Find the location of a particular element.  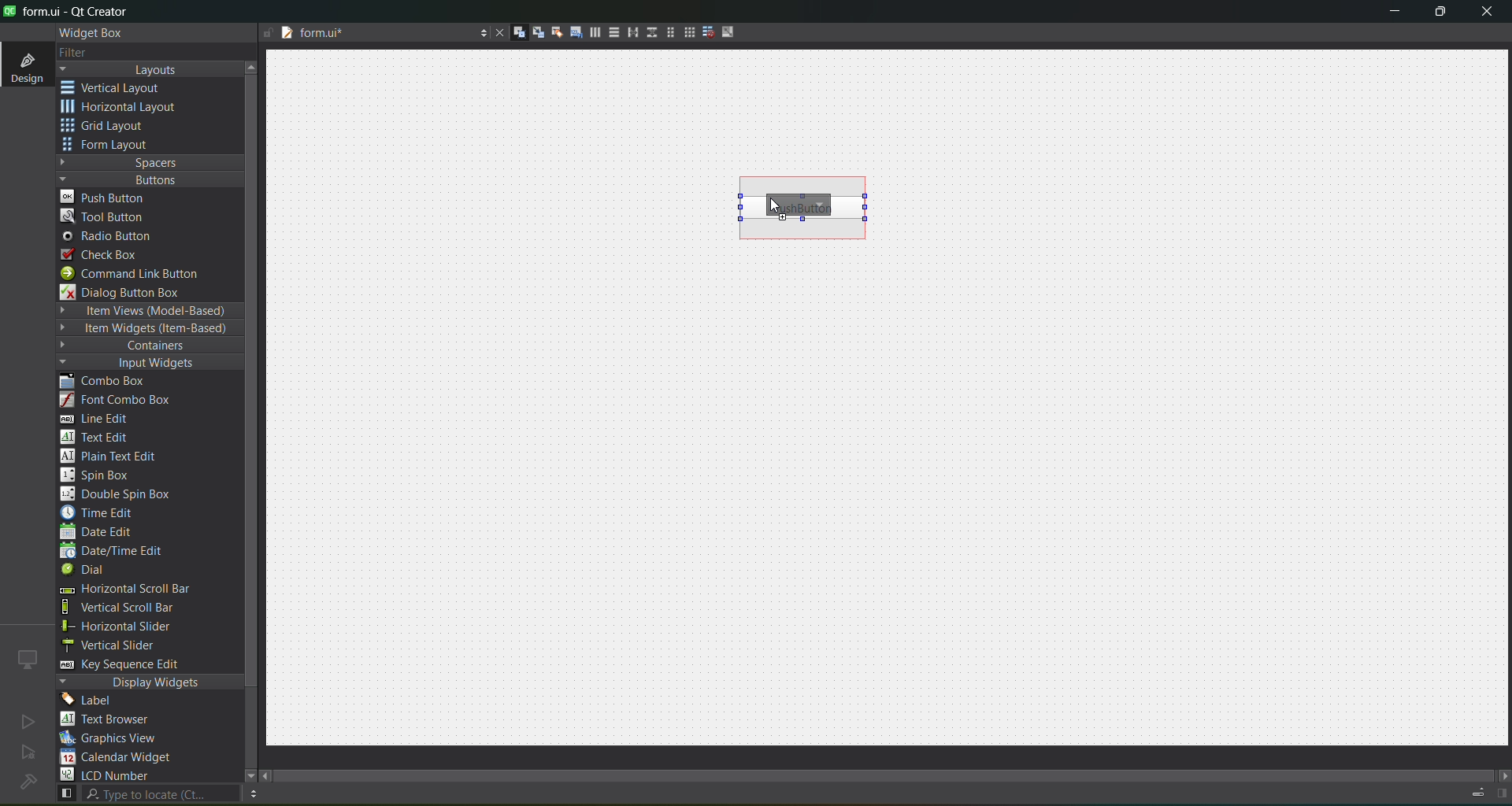

combo box is located at coordinates (114, 382).